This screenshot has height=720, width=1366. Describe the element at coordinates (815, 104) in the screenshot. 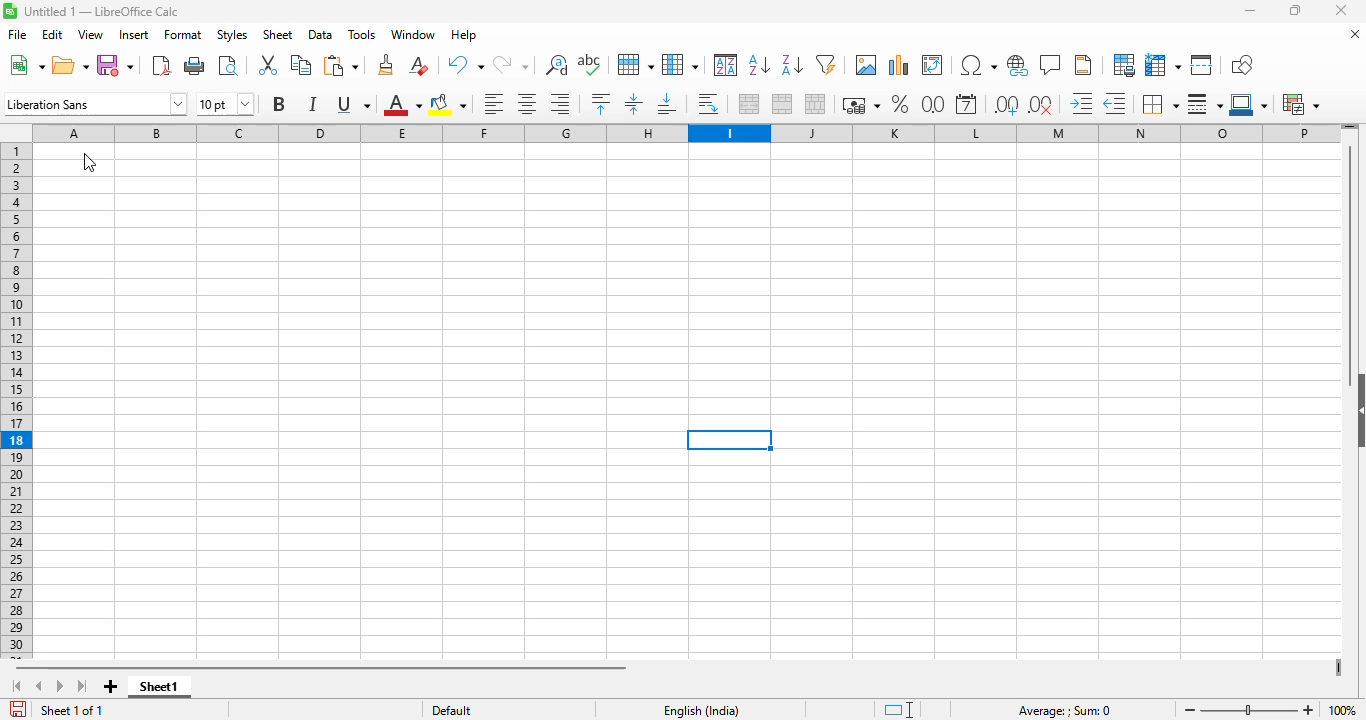

I see `unmerge cells` at that location.